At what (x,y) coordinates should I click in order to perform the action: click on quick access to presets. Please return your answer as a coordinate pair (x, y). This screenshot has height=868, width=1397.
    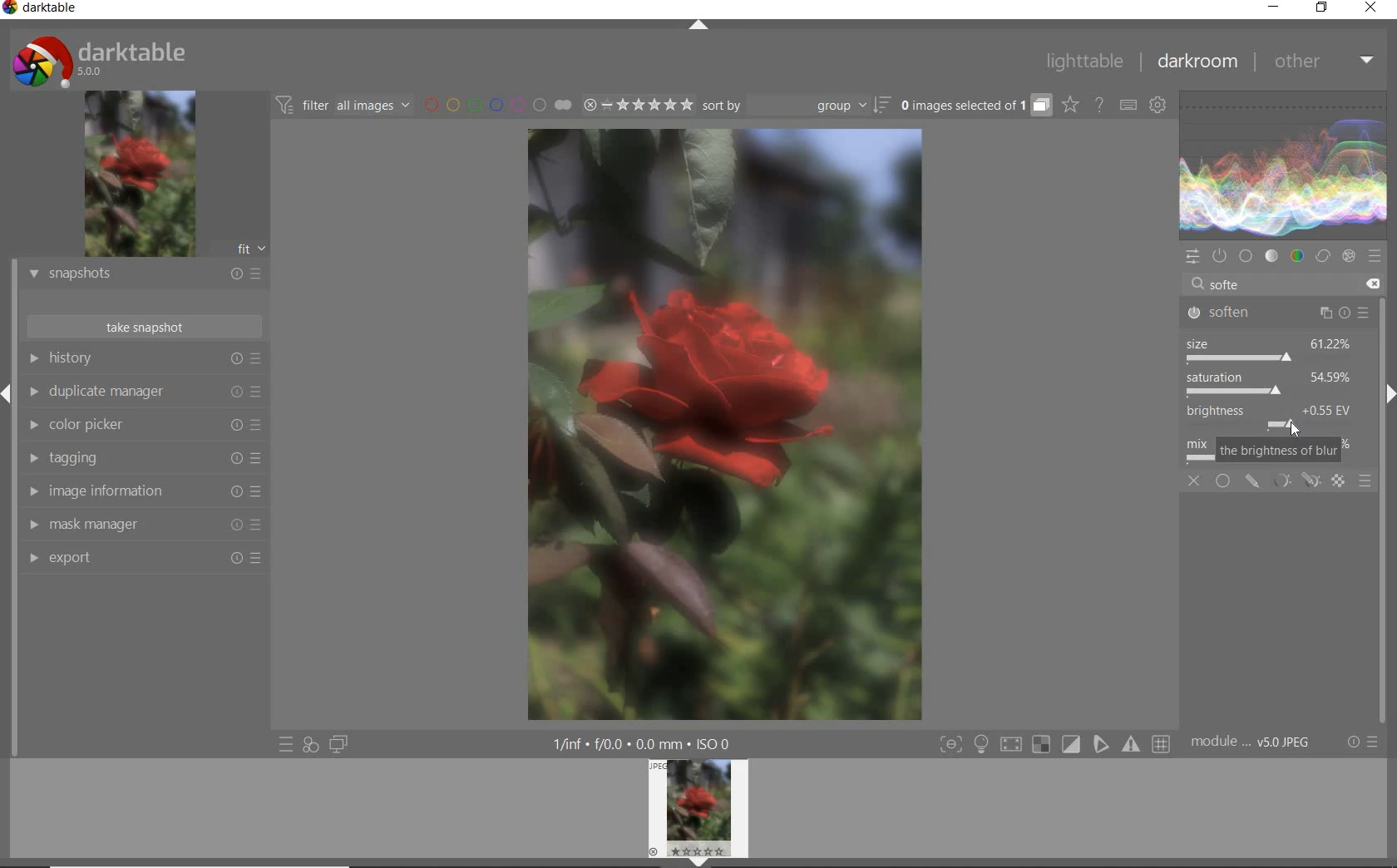
    Looking at the image, I should click on (286, 745).